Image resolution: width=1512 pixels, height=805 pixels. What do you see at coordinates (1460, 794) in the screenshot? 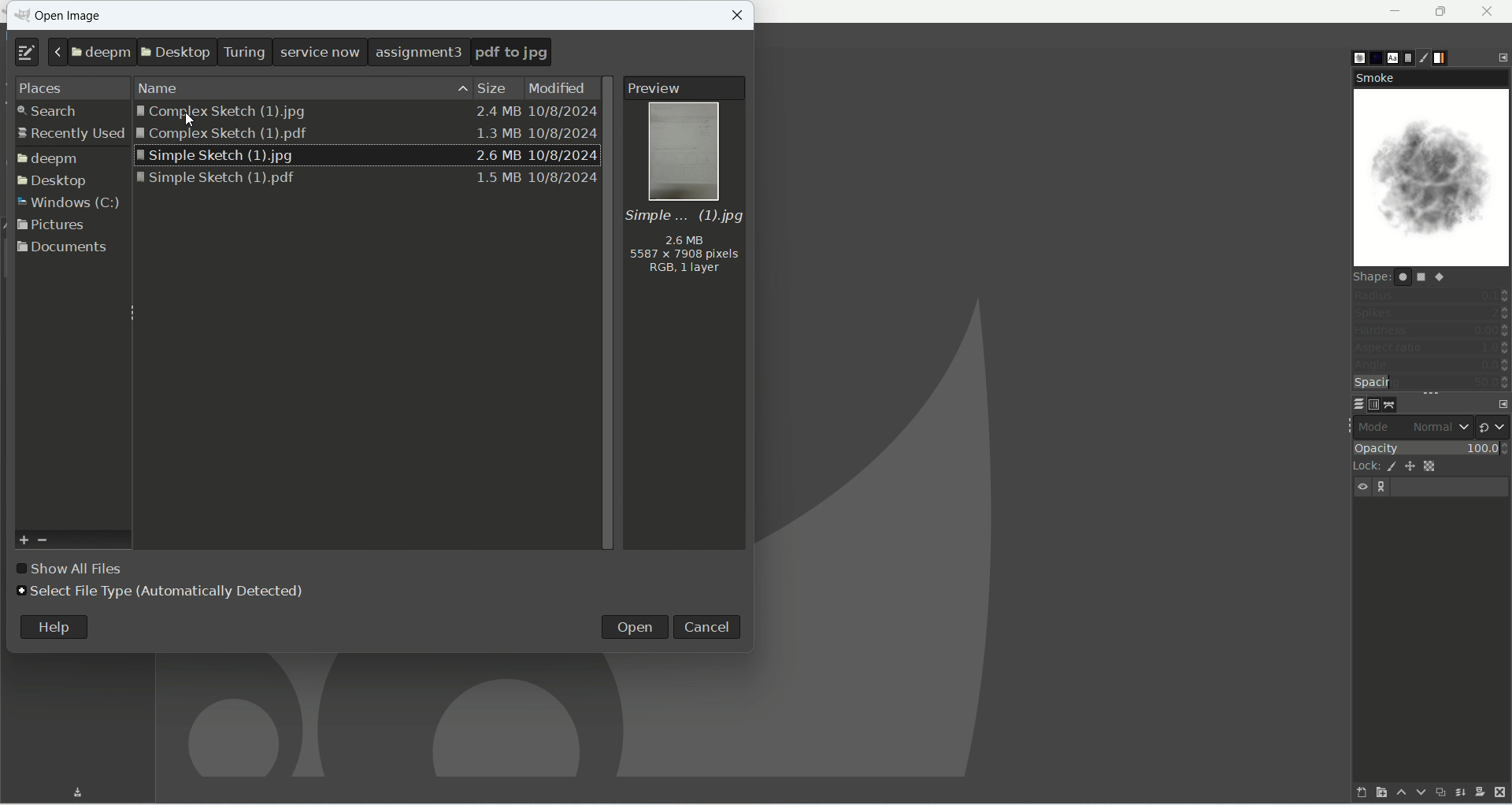
I see `merge this layer` at bounding box center [1460, 794].